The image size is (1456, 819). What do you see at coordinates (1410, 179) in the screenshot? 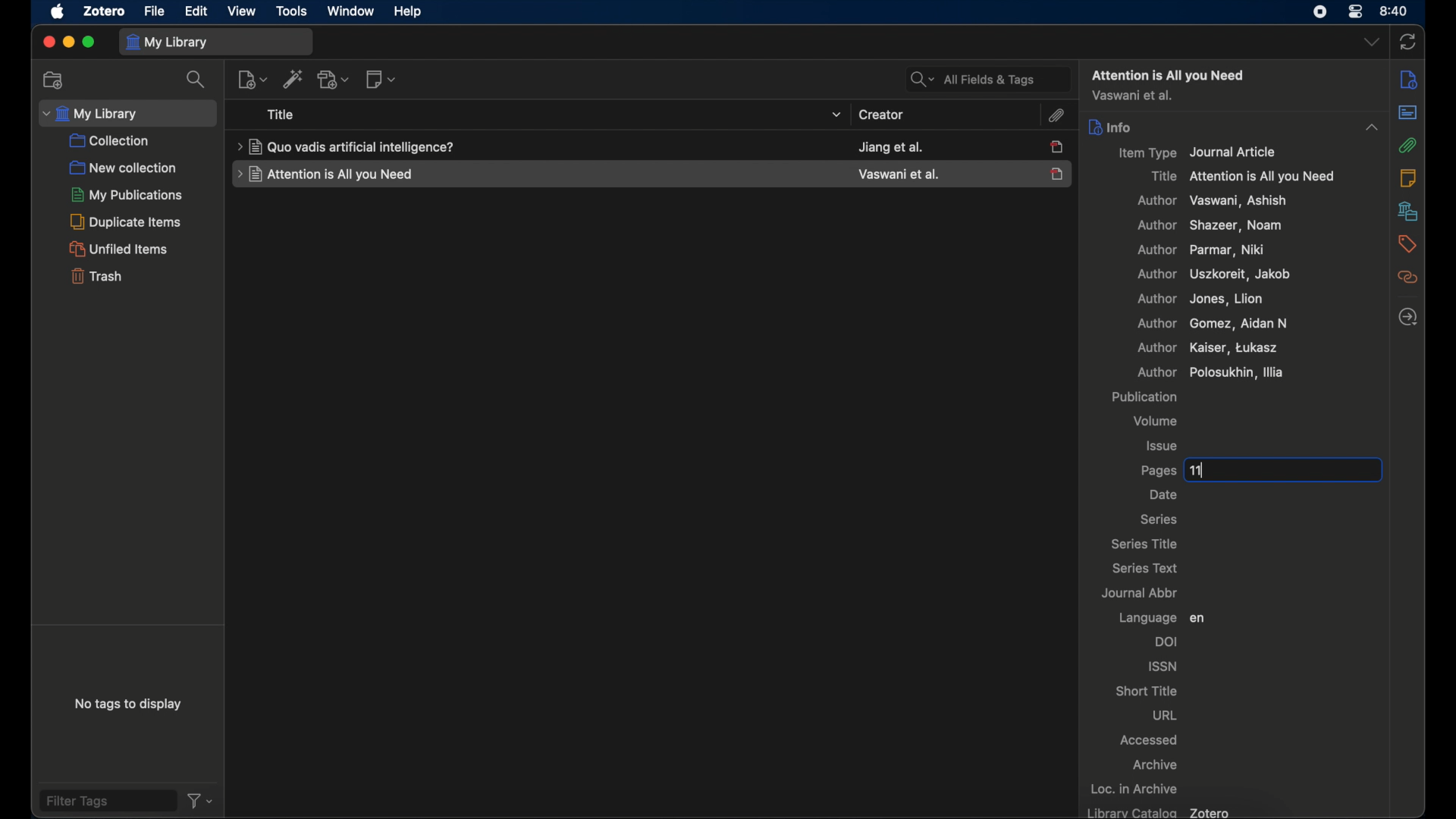
I see `notes ` at bounding box center [1410, 179].